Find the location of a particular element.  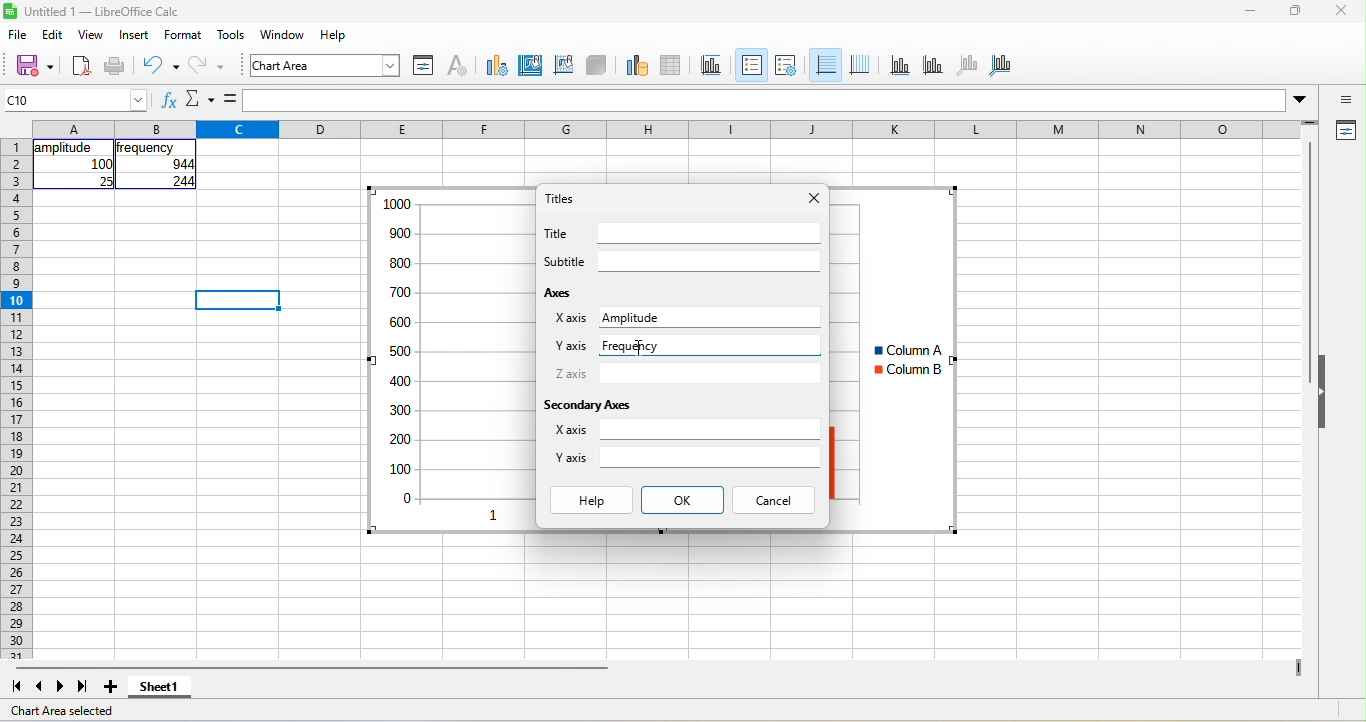

chart type is located at coordinates (497, 66).